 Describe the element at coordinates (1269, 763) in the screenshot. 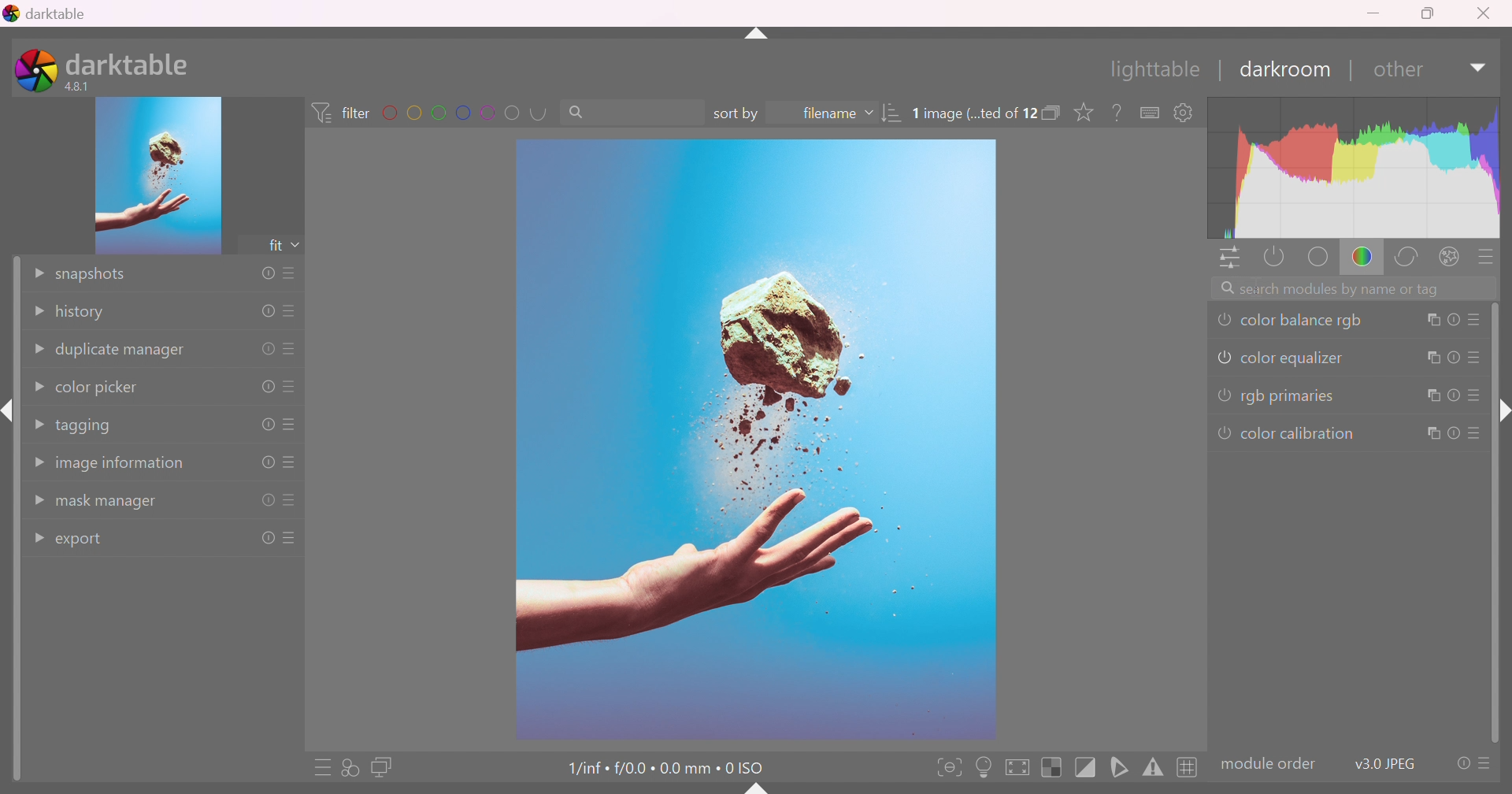

I see `modulecolor` at that location.